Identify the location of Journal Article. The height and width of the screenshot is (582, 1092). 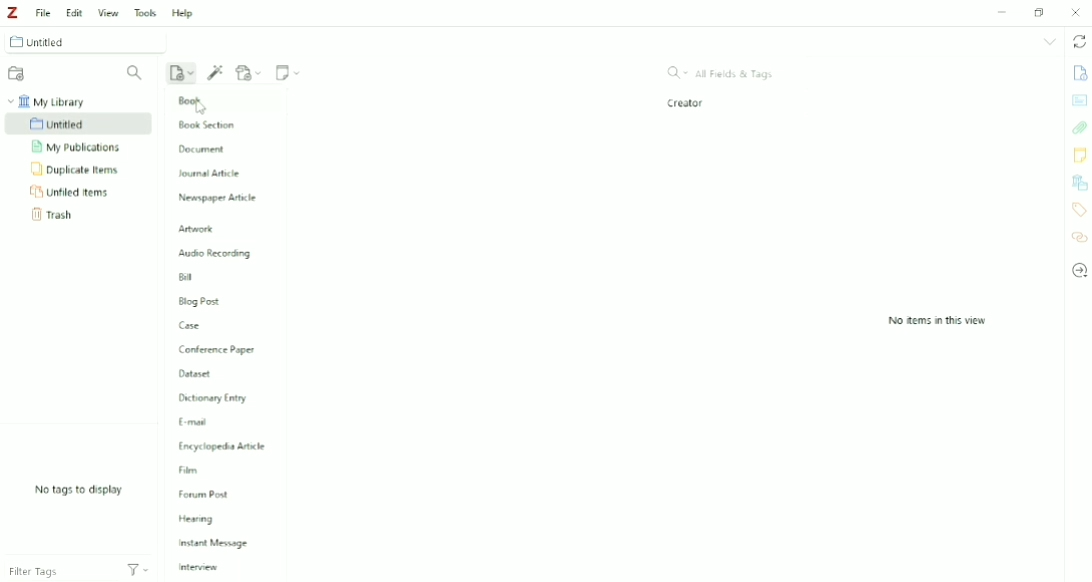
(212, 174).